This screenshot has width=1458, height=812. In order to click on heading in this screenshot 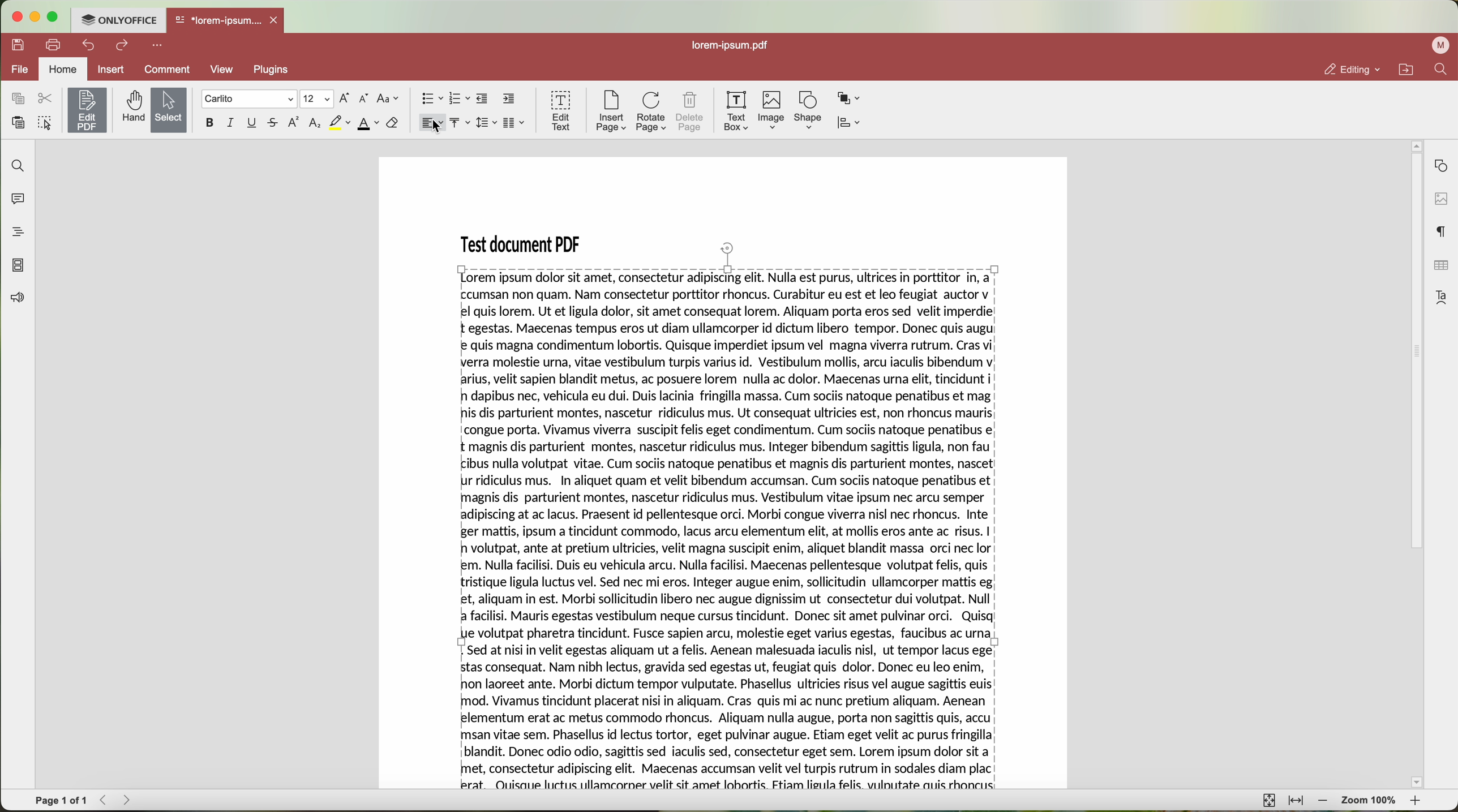, I will do `click(17, 229)`.